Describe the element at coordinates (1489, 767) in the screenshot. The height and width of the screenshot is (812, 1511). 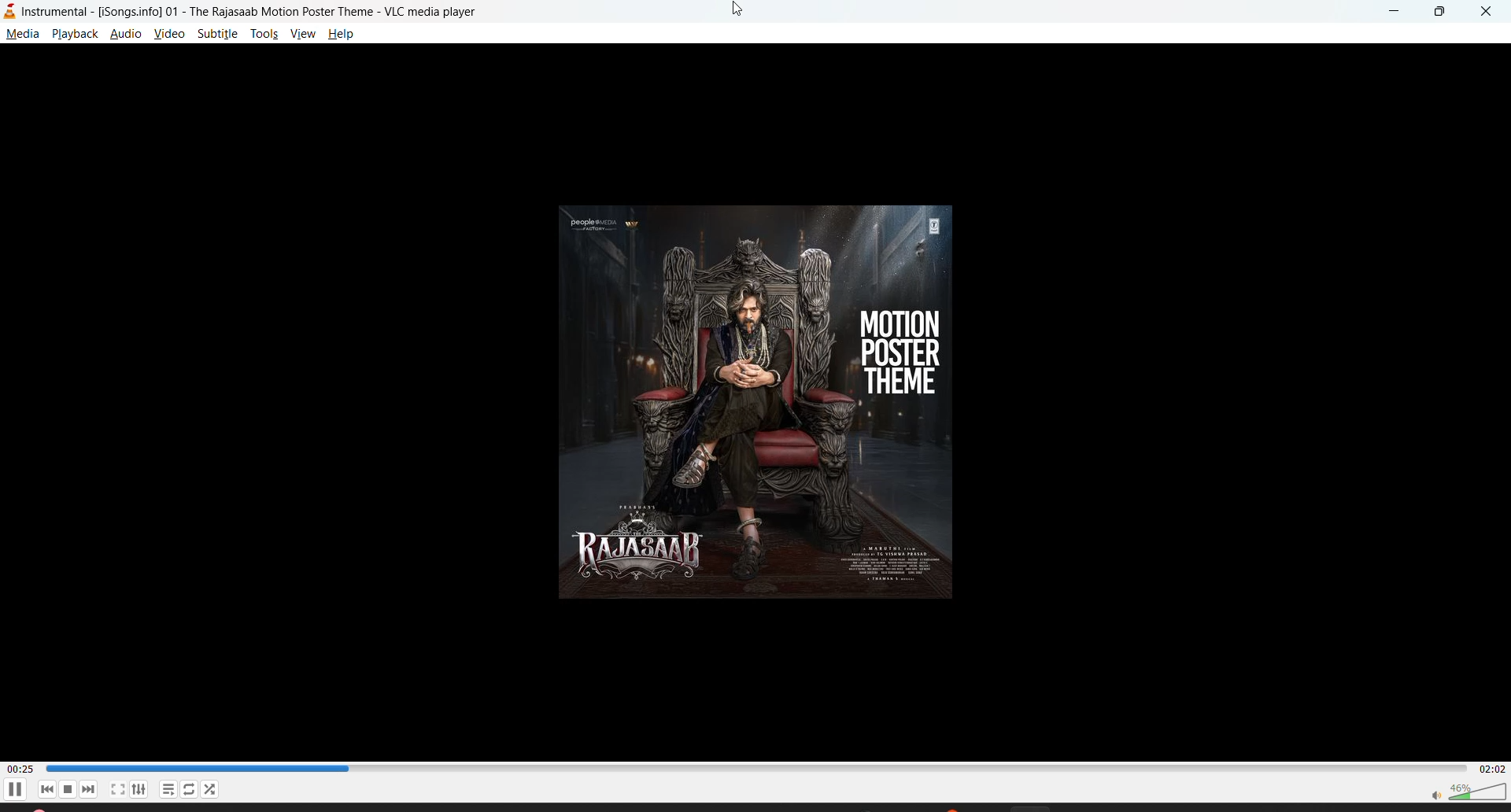
I see `total track time` at that location.